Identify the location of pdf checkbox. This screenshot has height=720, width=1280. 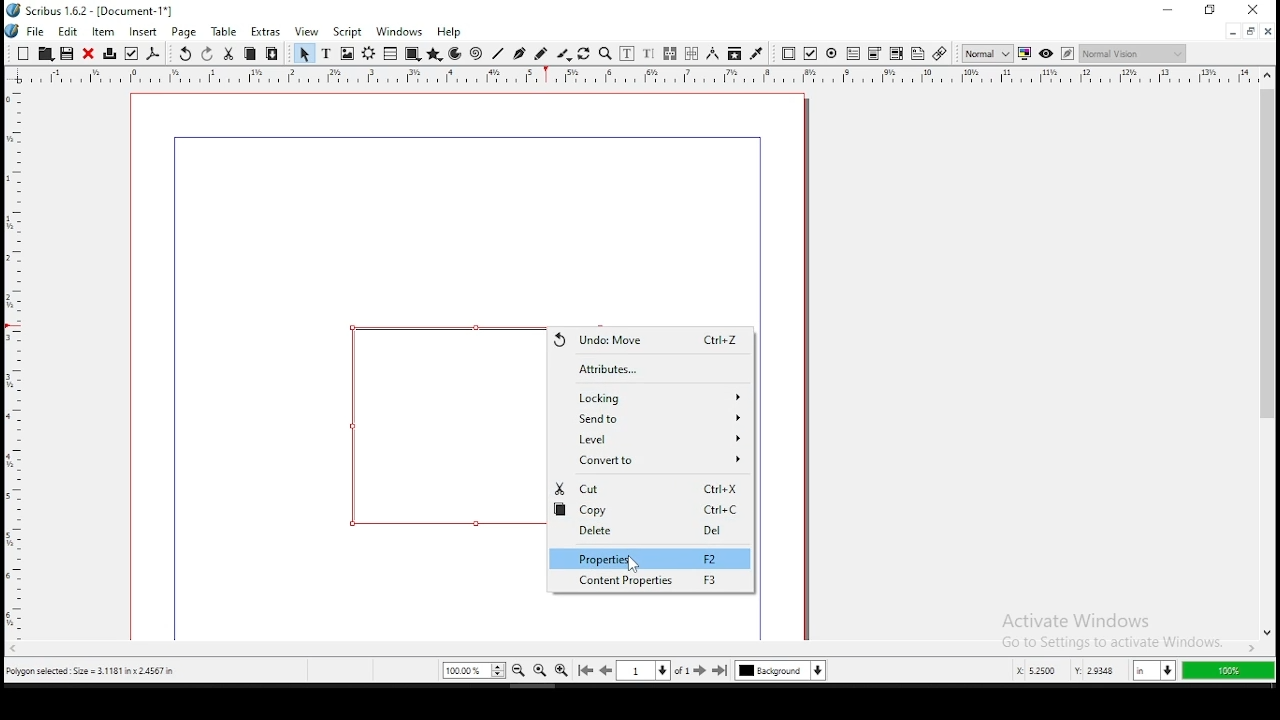
(810, 54).